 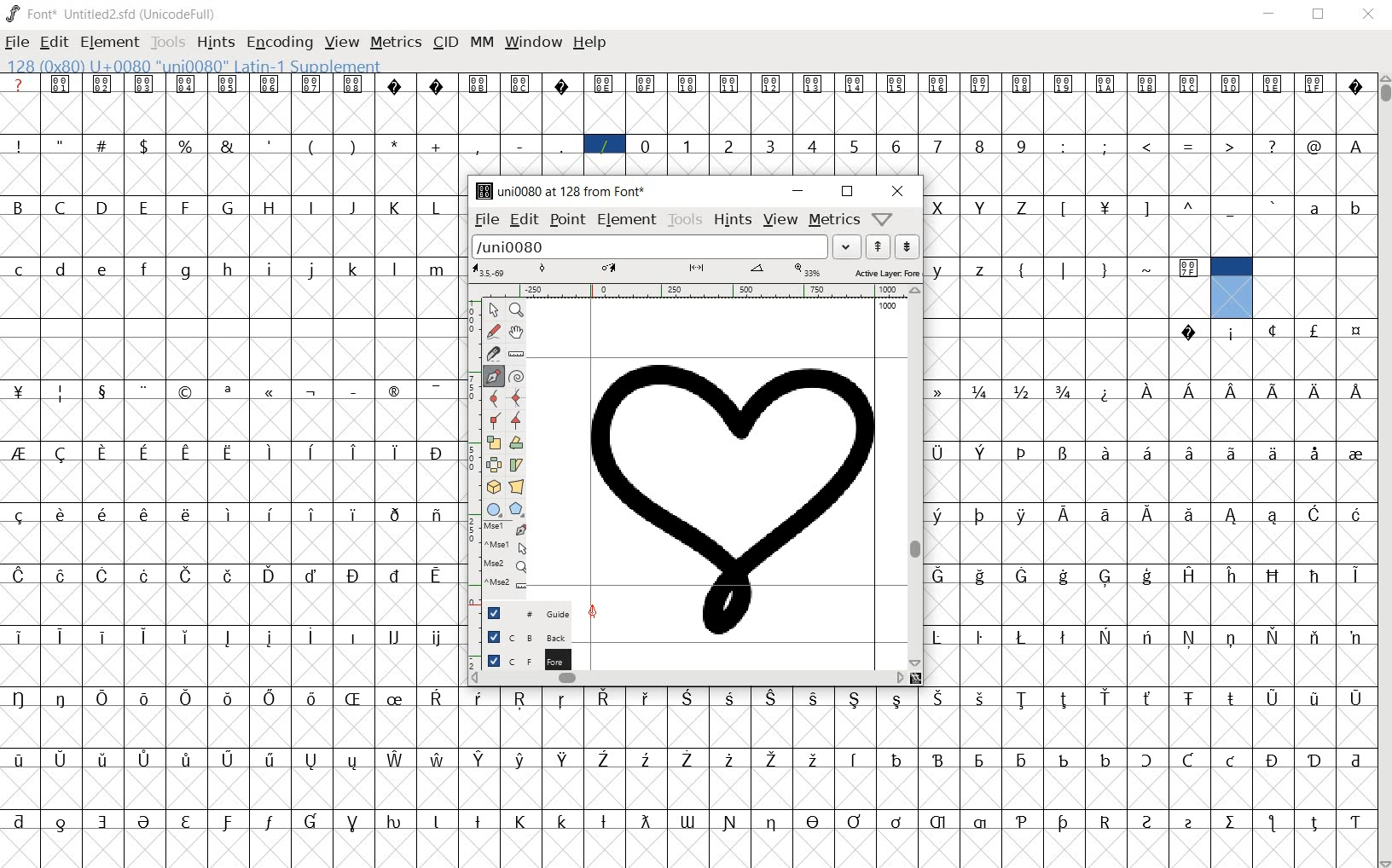 What do you see at coordinates (1147, 576) in the screenshot?
I see `glyph` at bounding box center [1147, 576].